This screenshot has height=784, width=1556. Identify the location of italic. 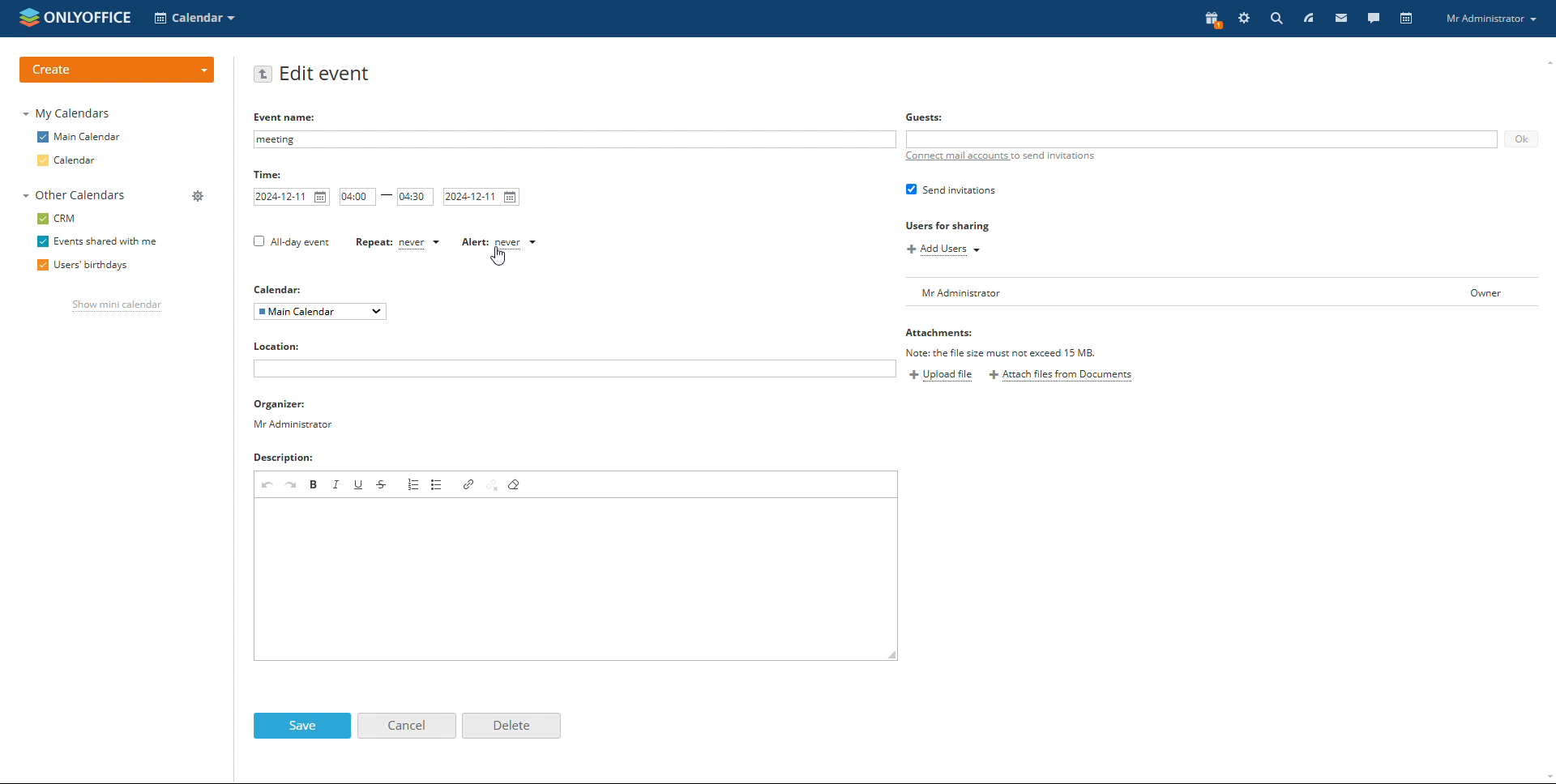
(337, 484).